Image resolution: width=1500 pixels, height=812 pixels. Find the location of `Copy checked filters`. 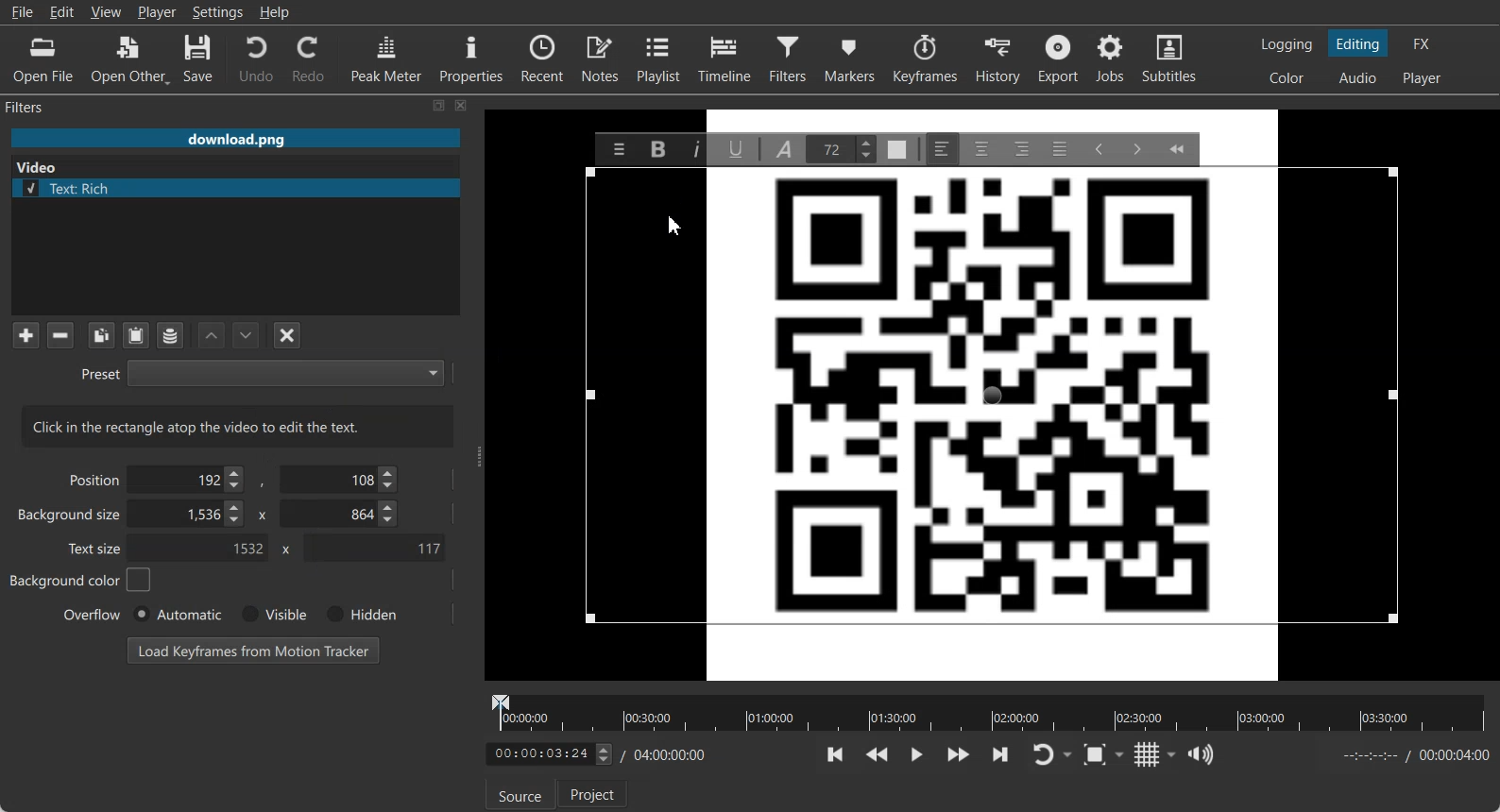

Copy checked filters is located at coordinates (101, 335).